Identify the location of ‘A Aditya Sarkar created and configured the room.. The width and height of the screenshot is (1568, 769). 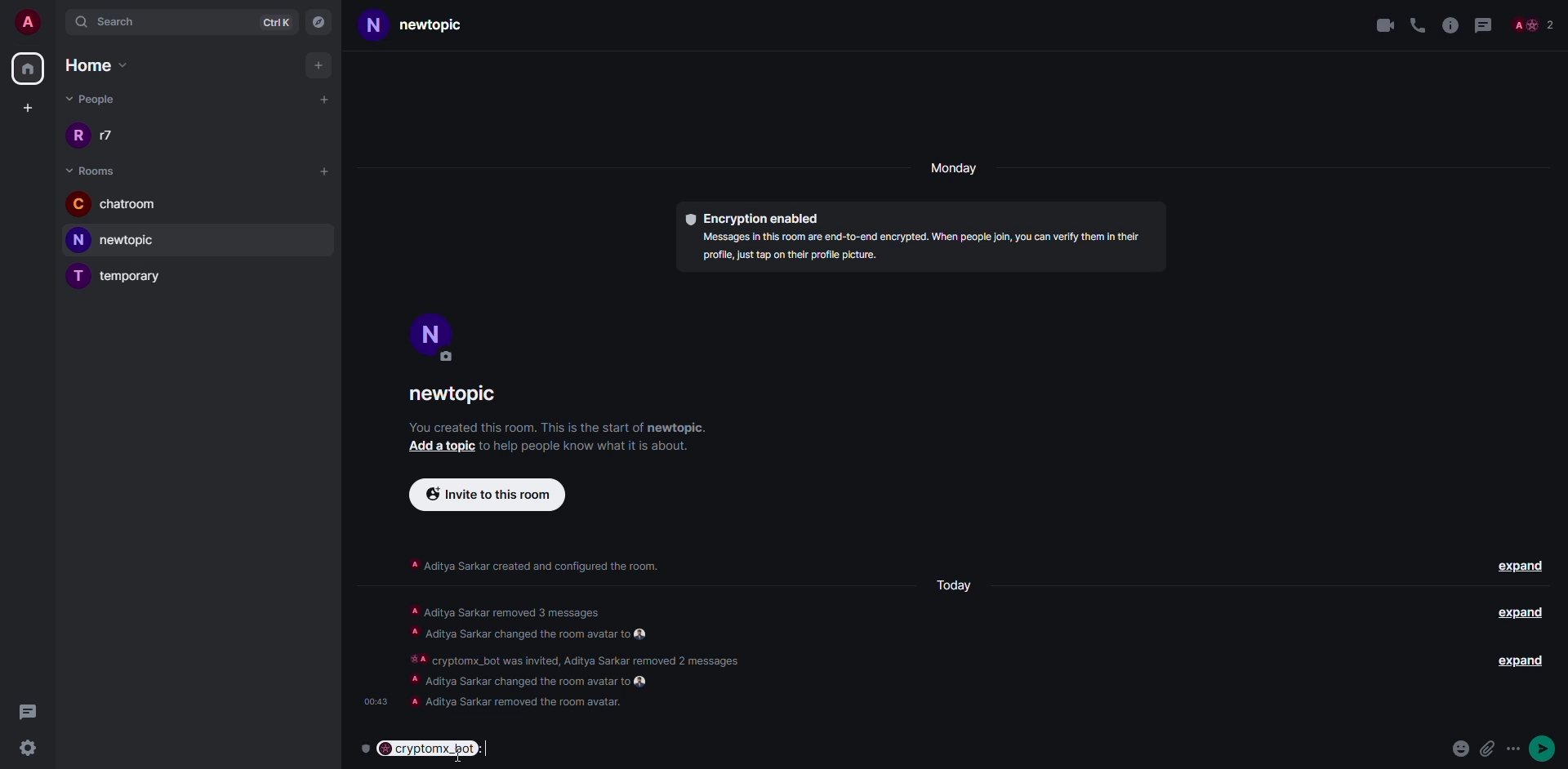
(534, 562).